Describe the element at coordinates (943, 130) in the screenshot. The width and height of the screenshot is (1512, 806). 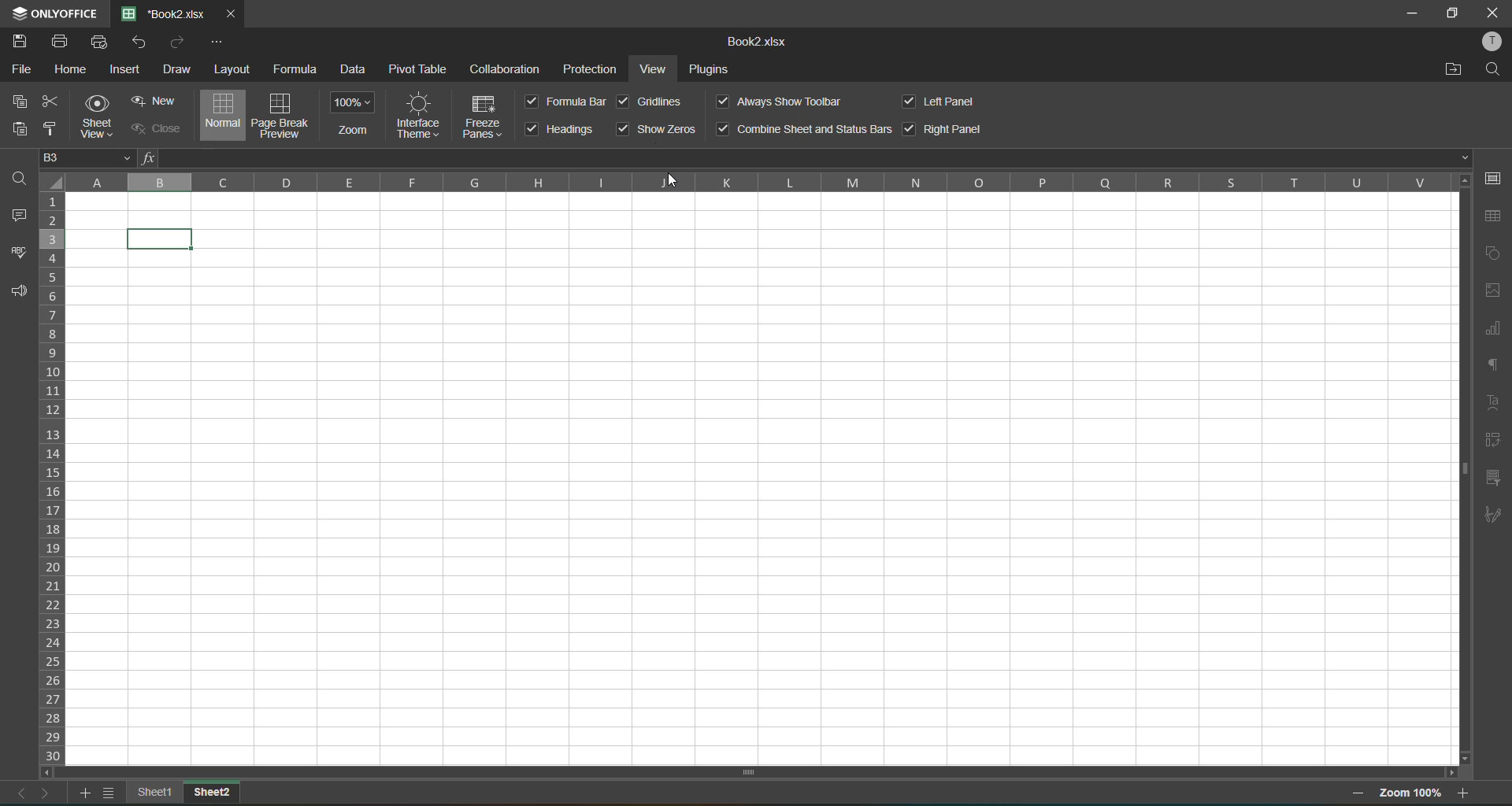
I see `right panel` at that location.